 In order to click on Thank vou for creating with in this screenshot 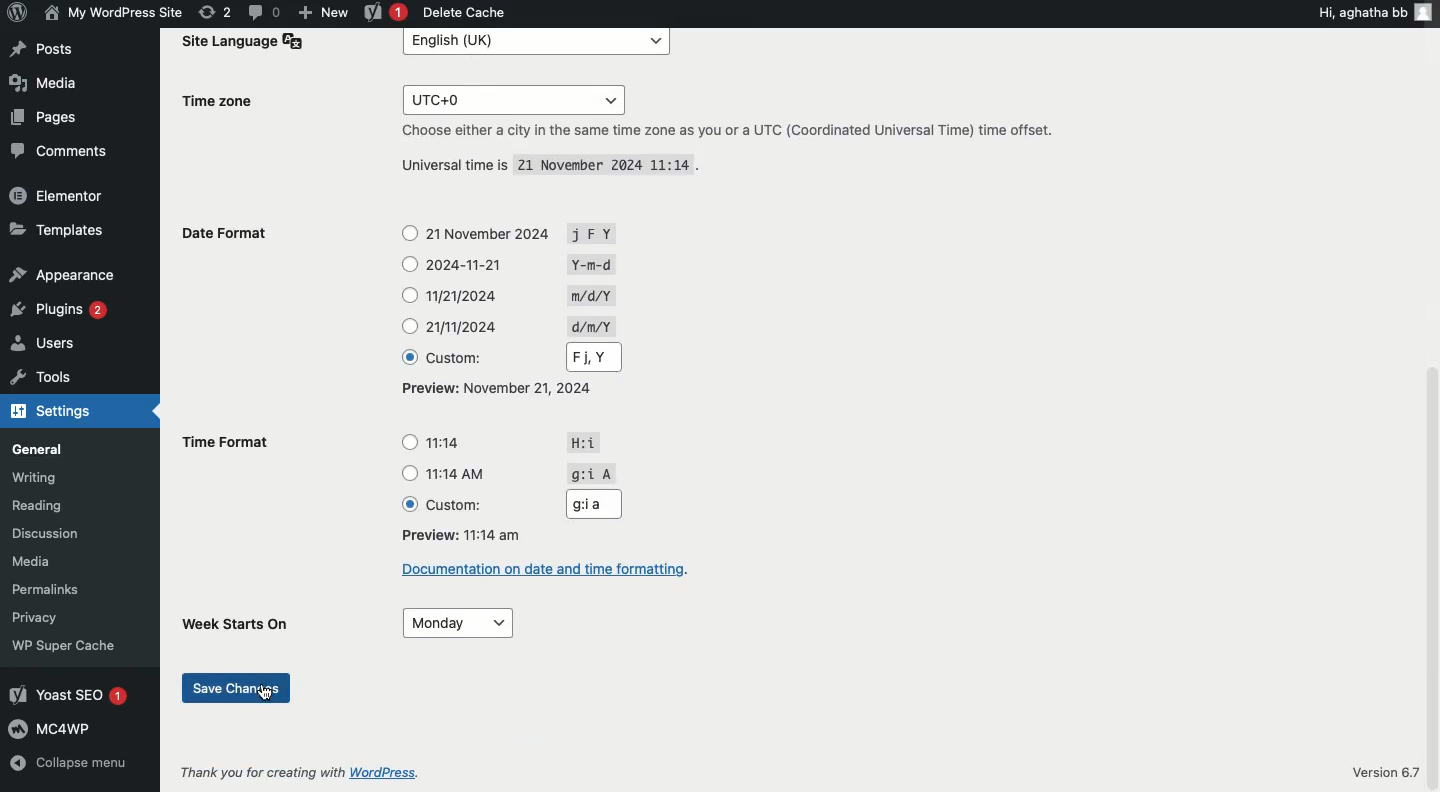, I will do `click(263, 771)`.